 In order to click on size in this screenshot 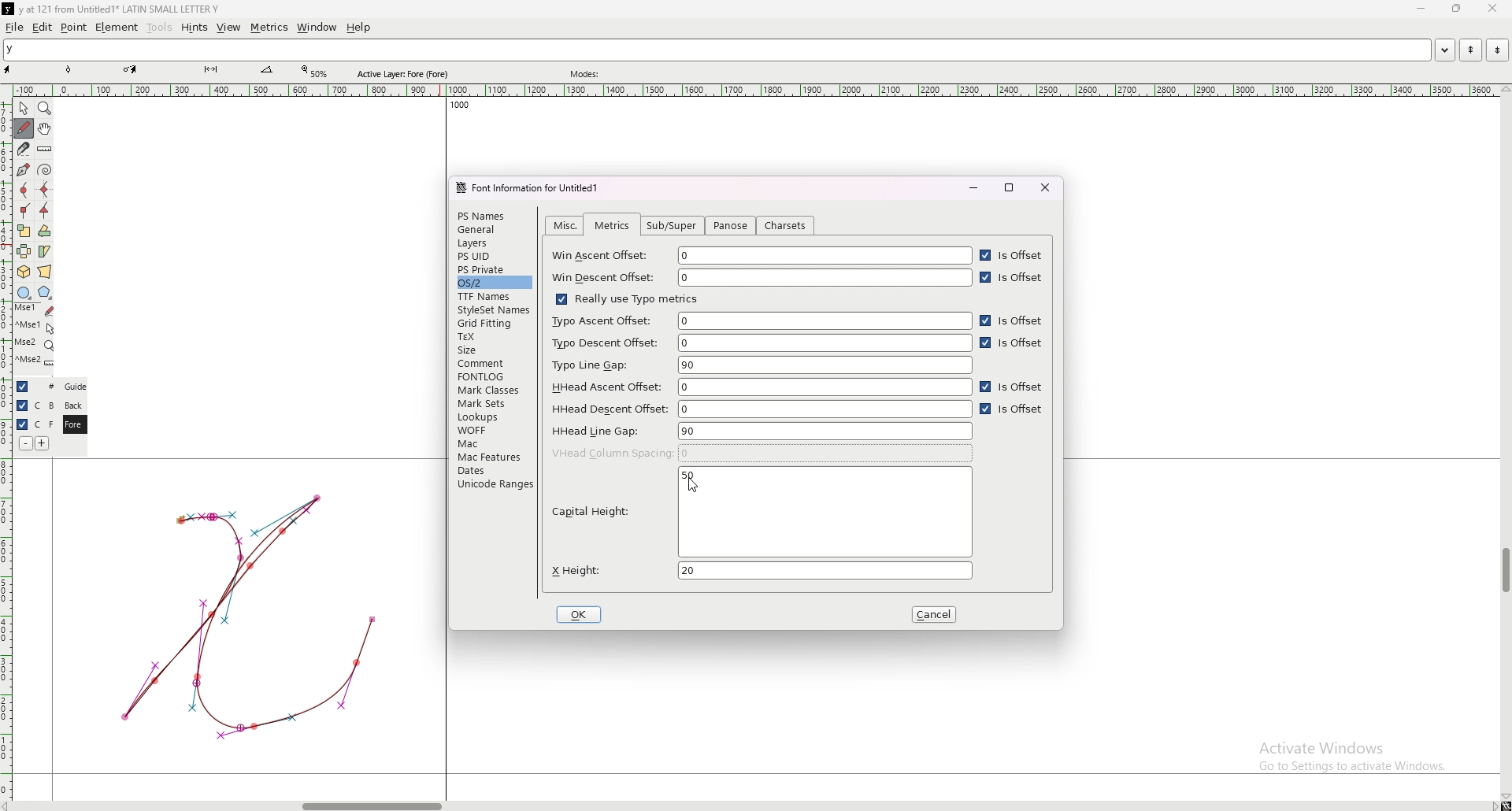, I will do `click(494, 350)`.